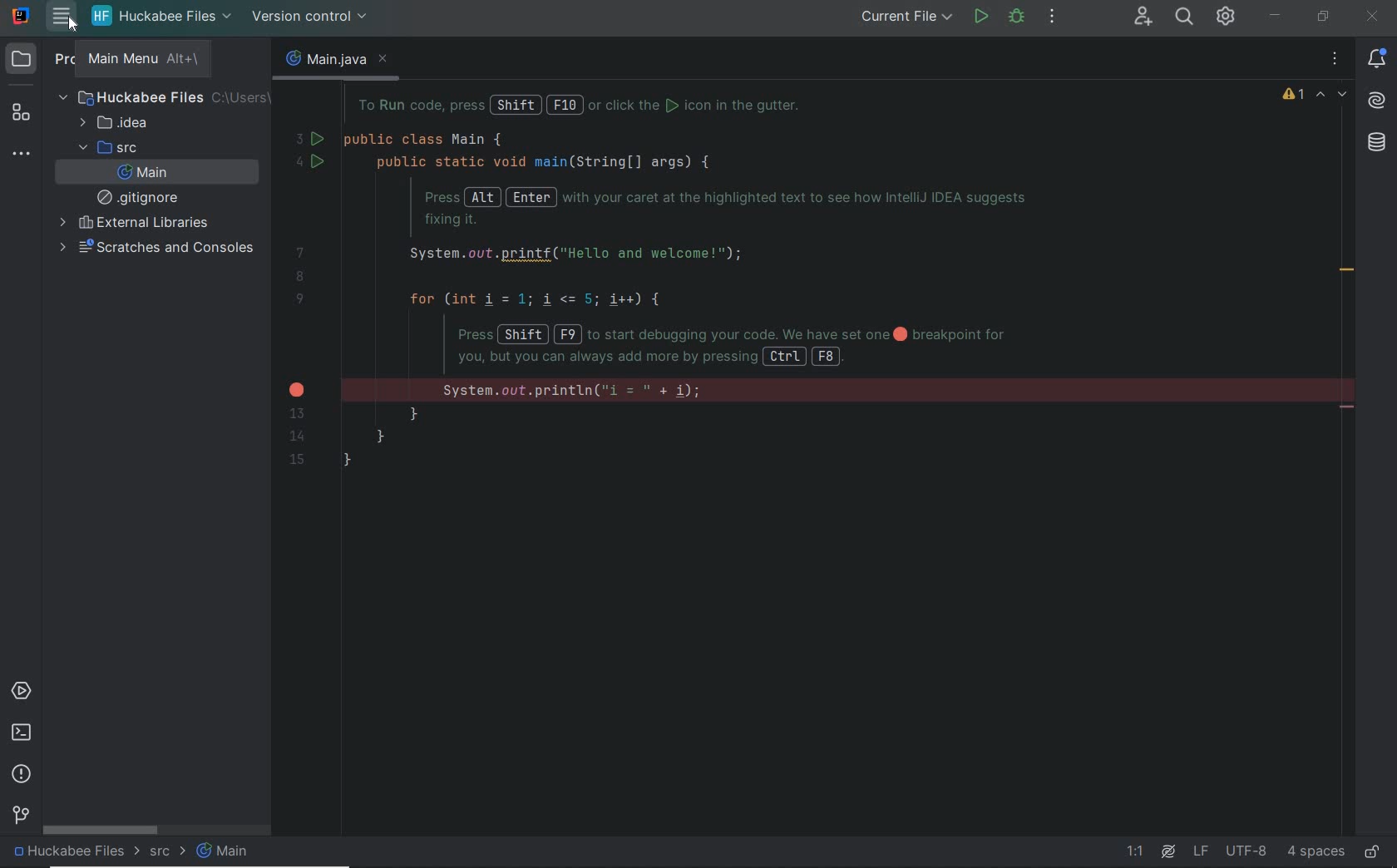 Image resolution: width=1397 pixels, height=868 pixels. What do you see at coordinates (1334, 96) in the screenshot?
I see `highlighted errors` at bounding box center [1334, 96].